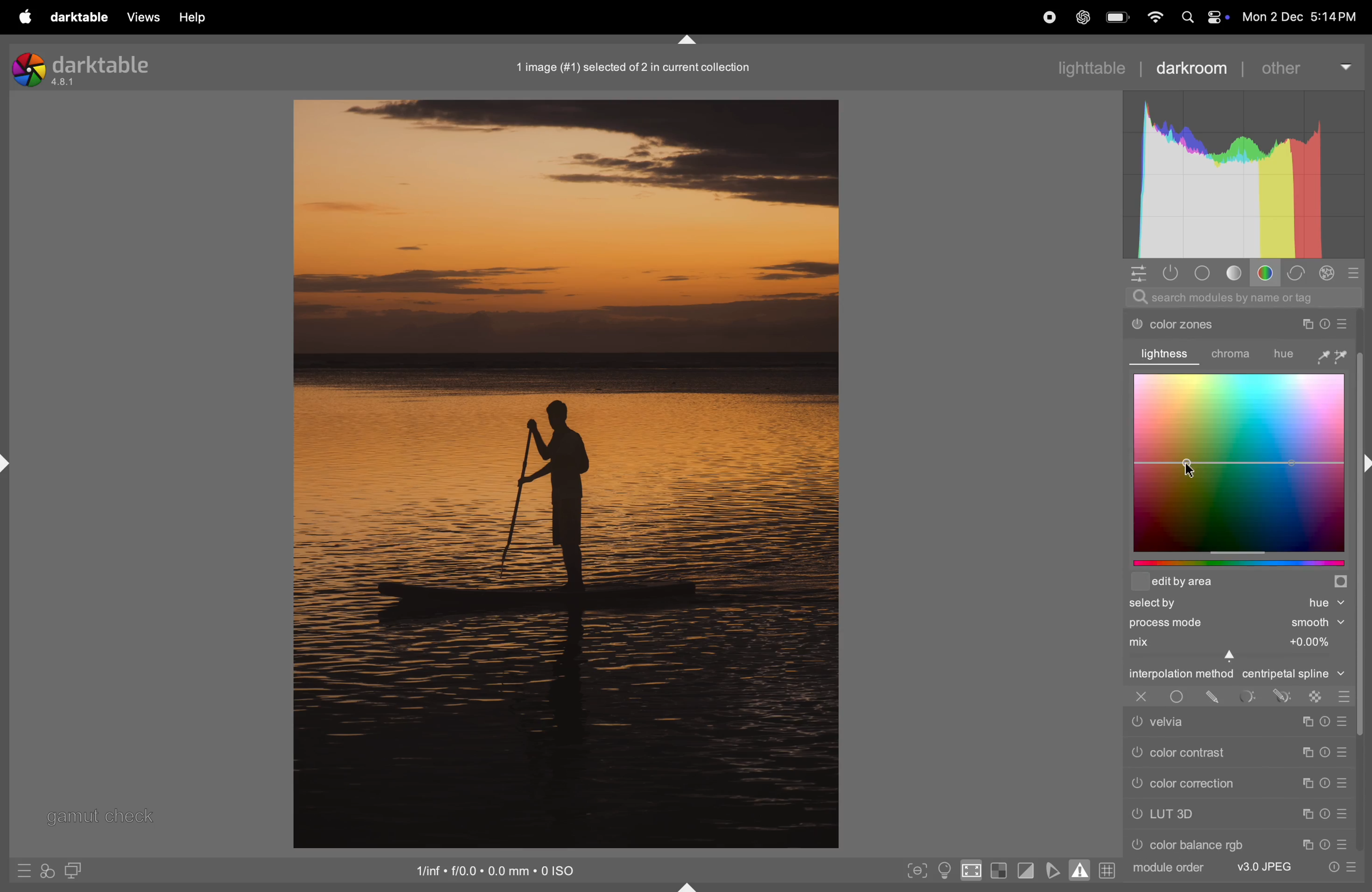 The width and height of the screenshot is (1372, 892). I want to click on preset, so click(1343, 322).